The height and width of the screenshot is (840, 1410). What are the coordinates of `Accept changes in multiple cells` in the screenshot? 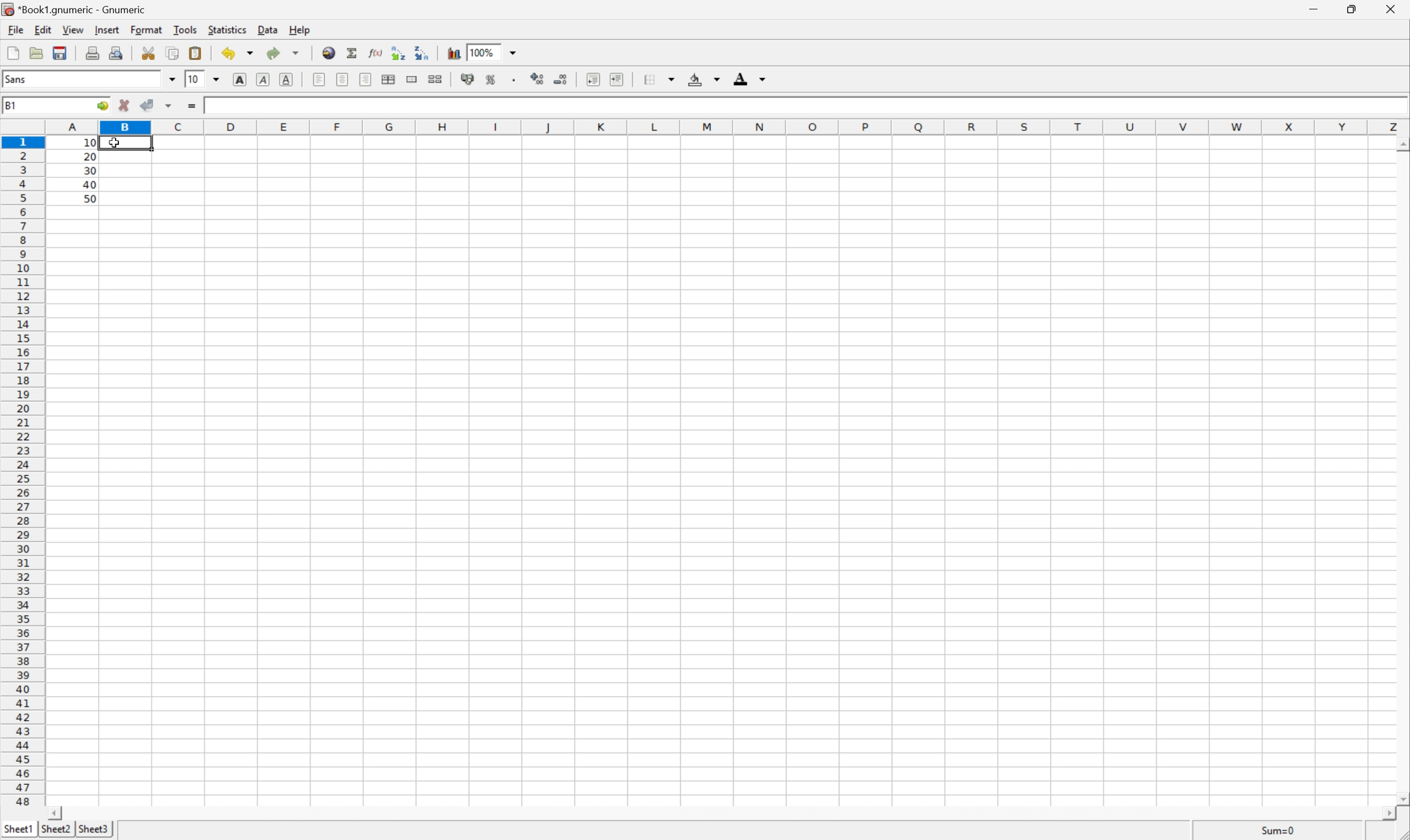 It's located at (170, 106).